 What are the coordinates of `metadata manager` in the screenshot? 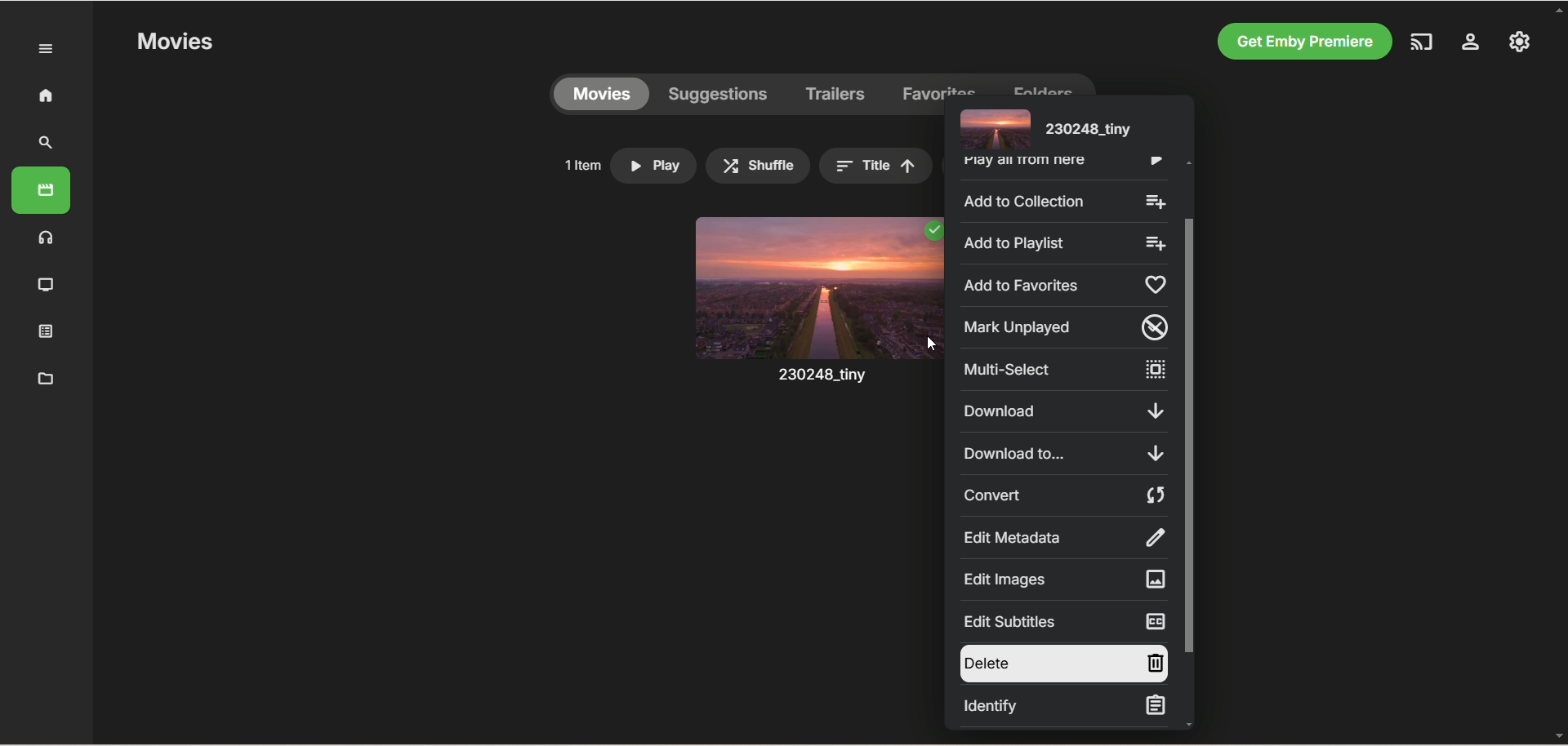 It's located at (42, 377).